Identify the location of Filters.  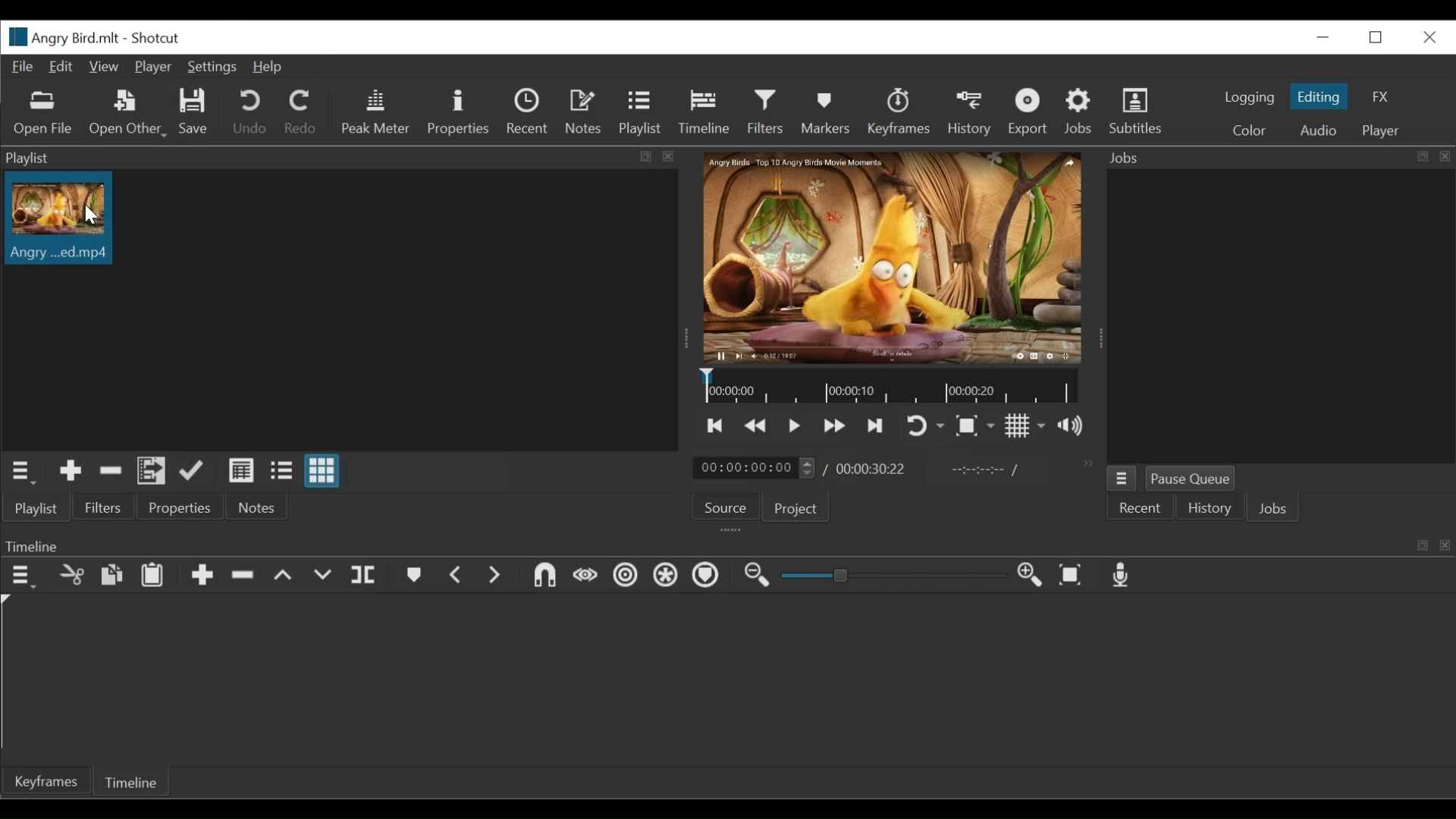
(766, 111).